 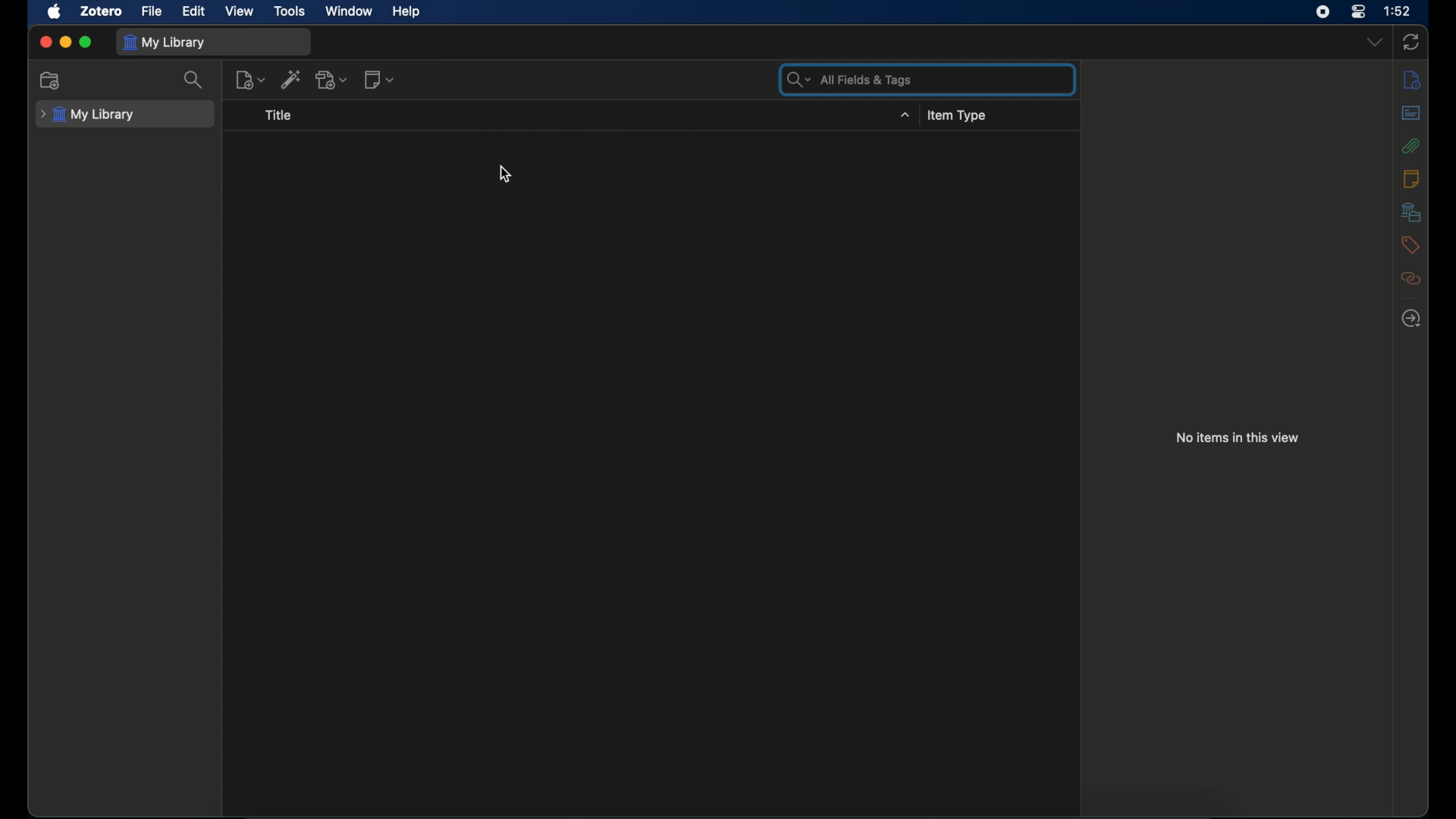 I want to click on apple icon, so click(x=55, y=12).